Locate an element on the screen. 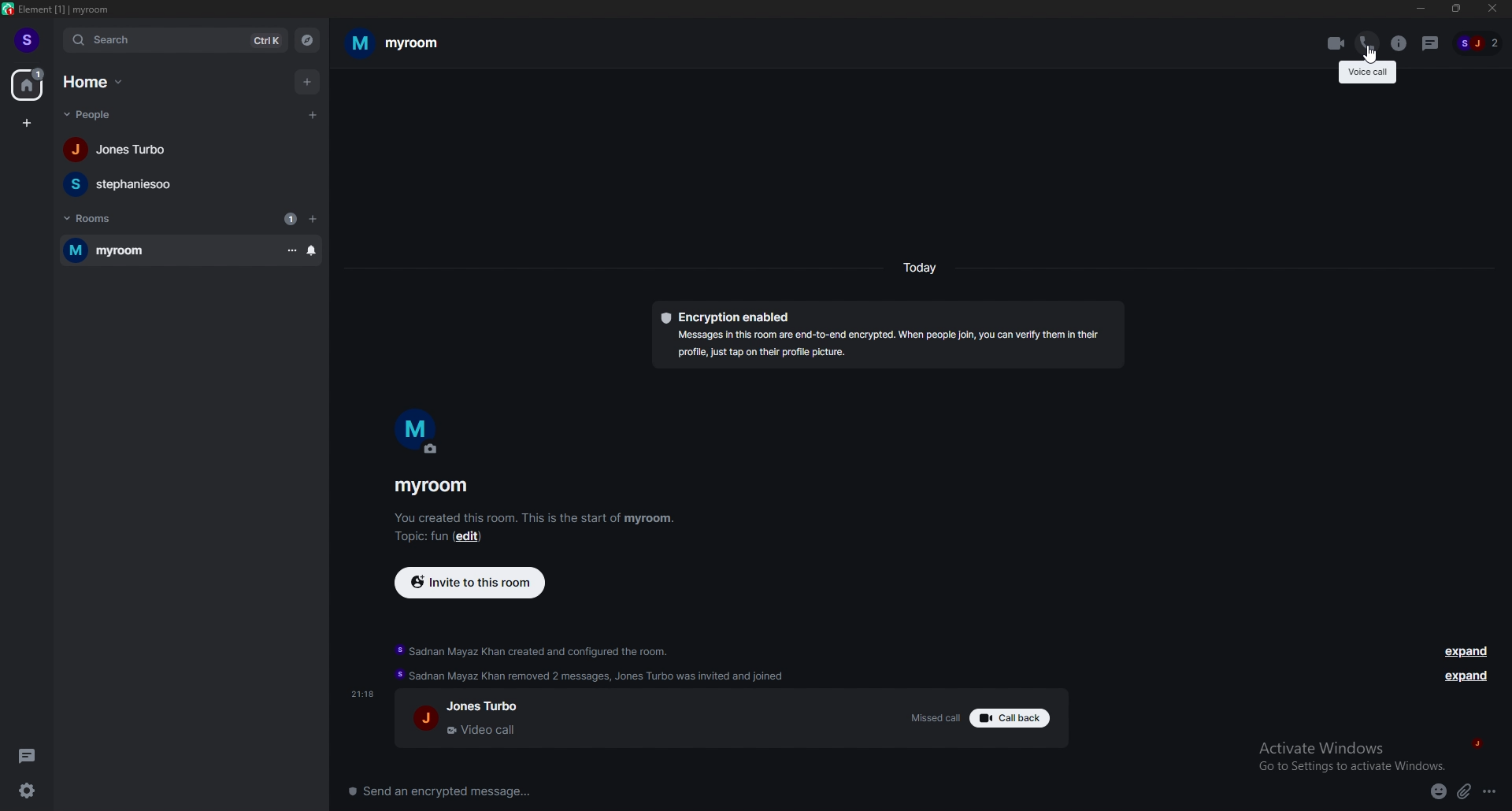 This screenshot has width=1512, height=811. message count is located at coordinates (290, 220).